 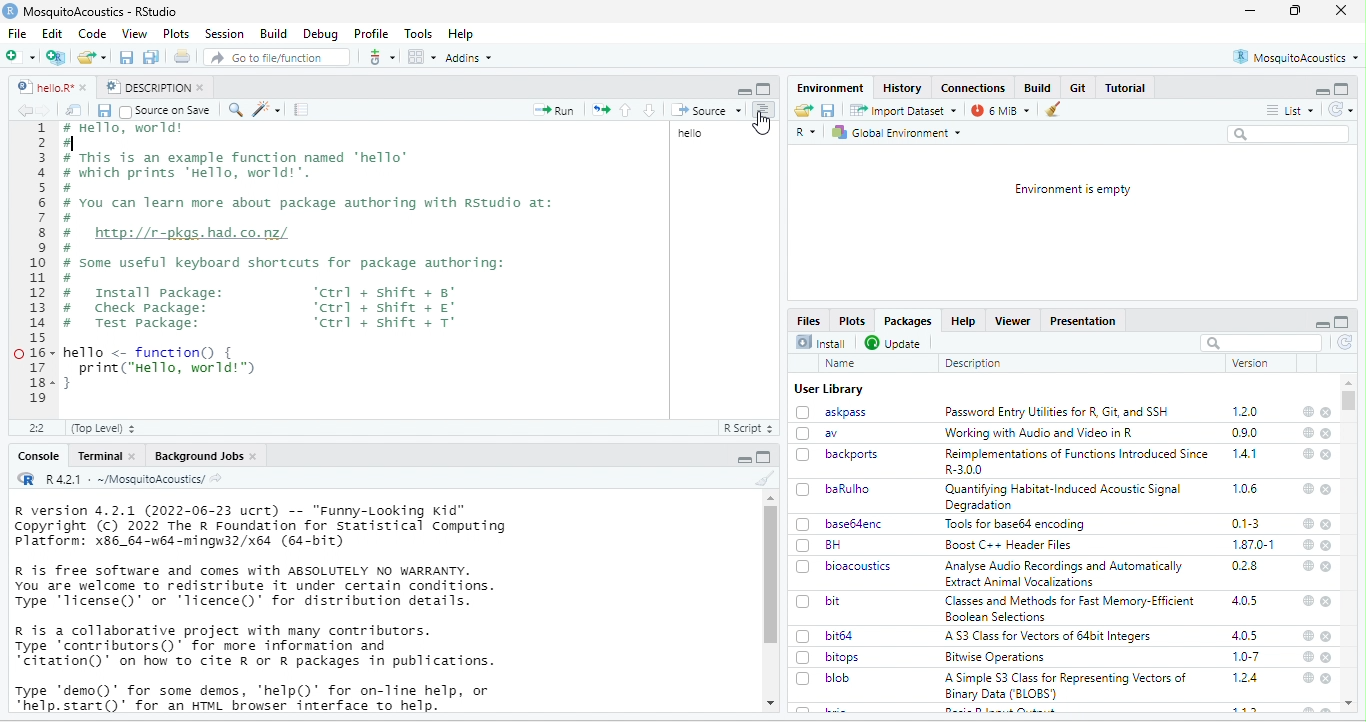 I want to click on R version 4.2.1 (2022-06-23 ucrt) -- "Funny-Looking Kid"
Copyright (c) 2022 The R Foundation for statistical Computing
platform: x86_64-w64-mingw32/x64 (64-bit), so click(x=261, y=527).